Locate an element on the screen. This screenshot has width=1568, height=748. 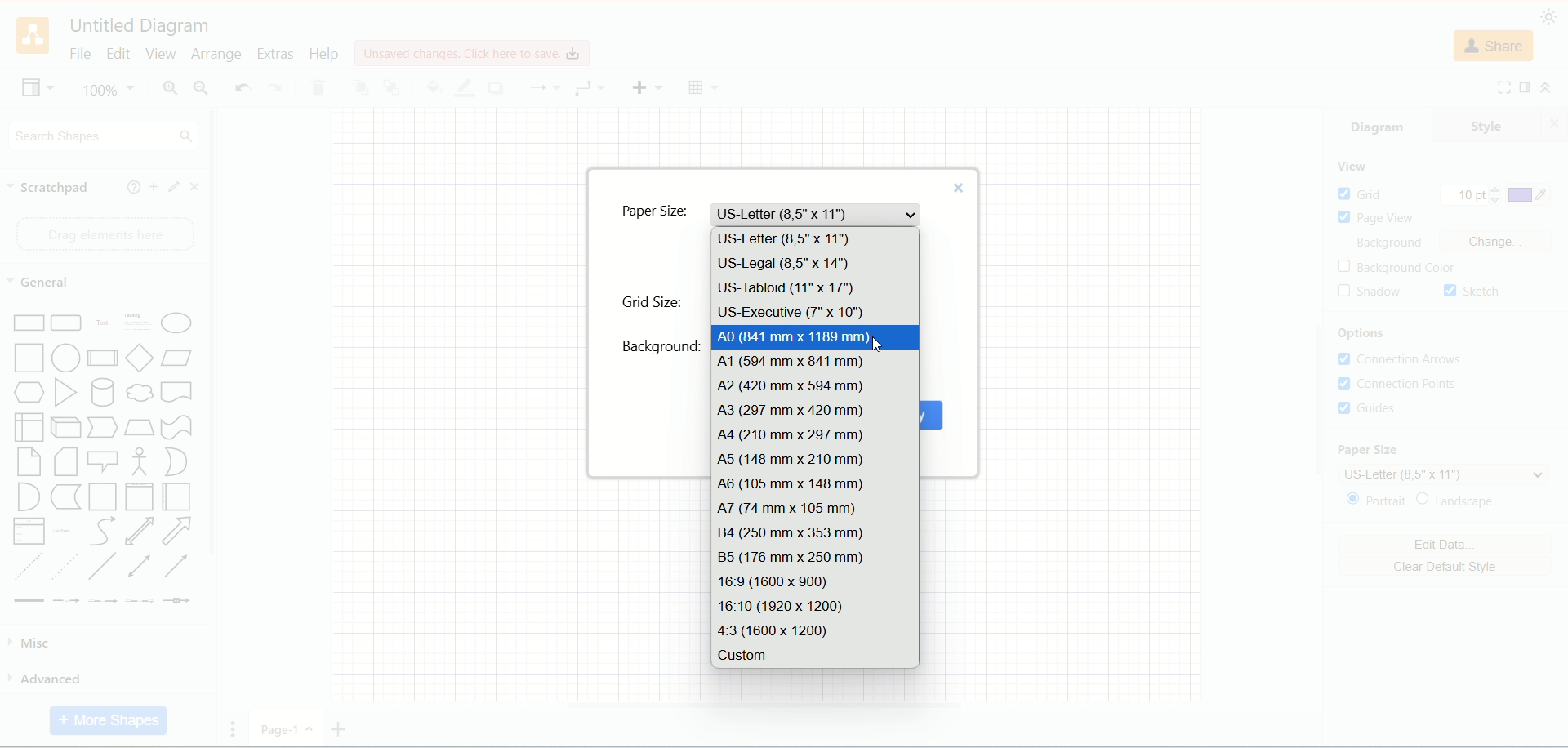
grid size is located at coordinates (653, 302).